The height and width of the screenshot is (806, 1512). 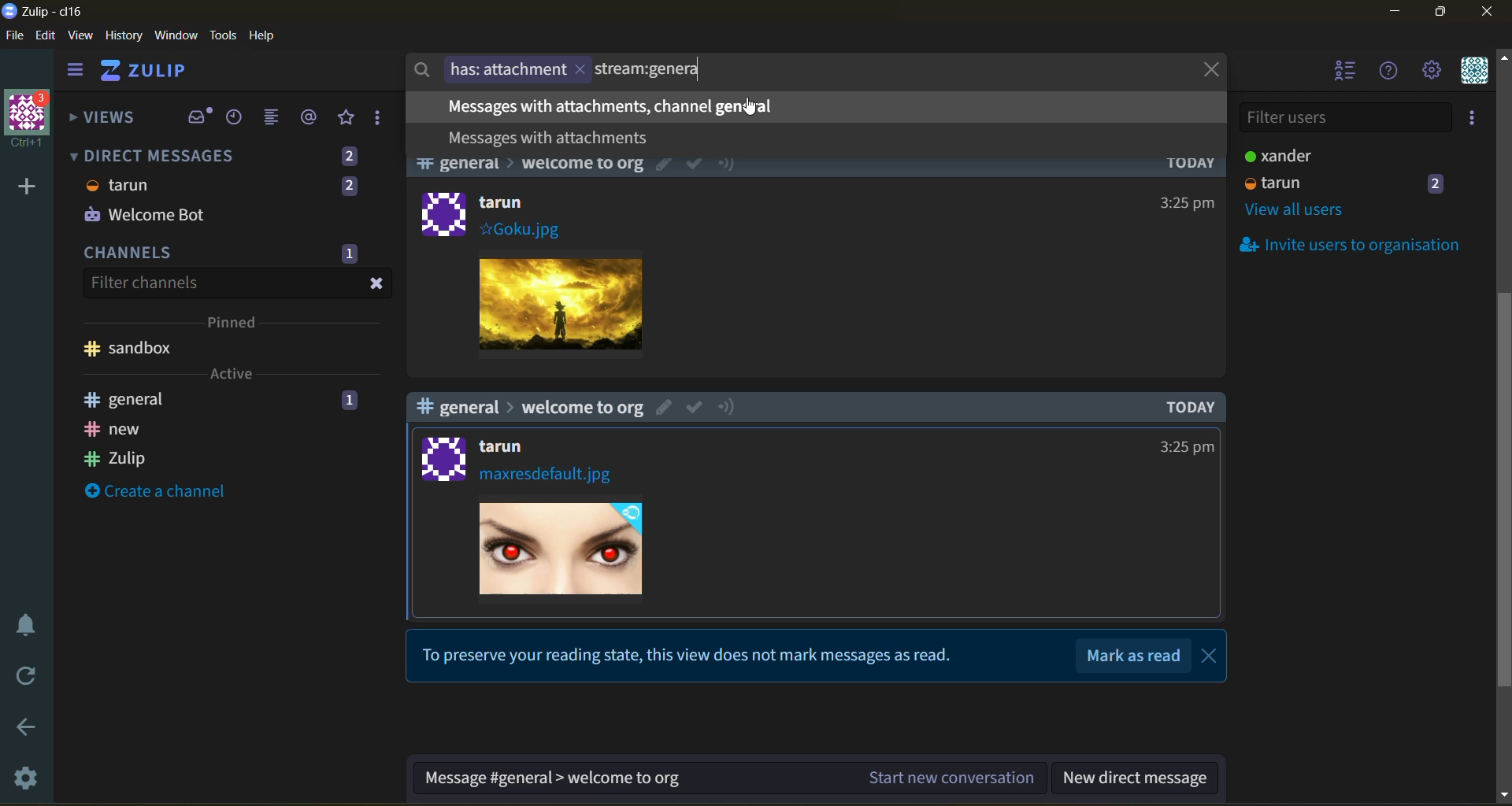 What do you see at coordinates (1344, 119) in the screenshot?
I see `filter users` at bounding box center [1344, 119].